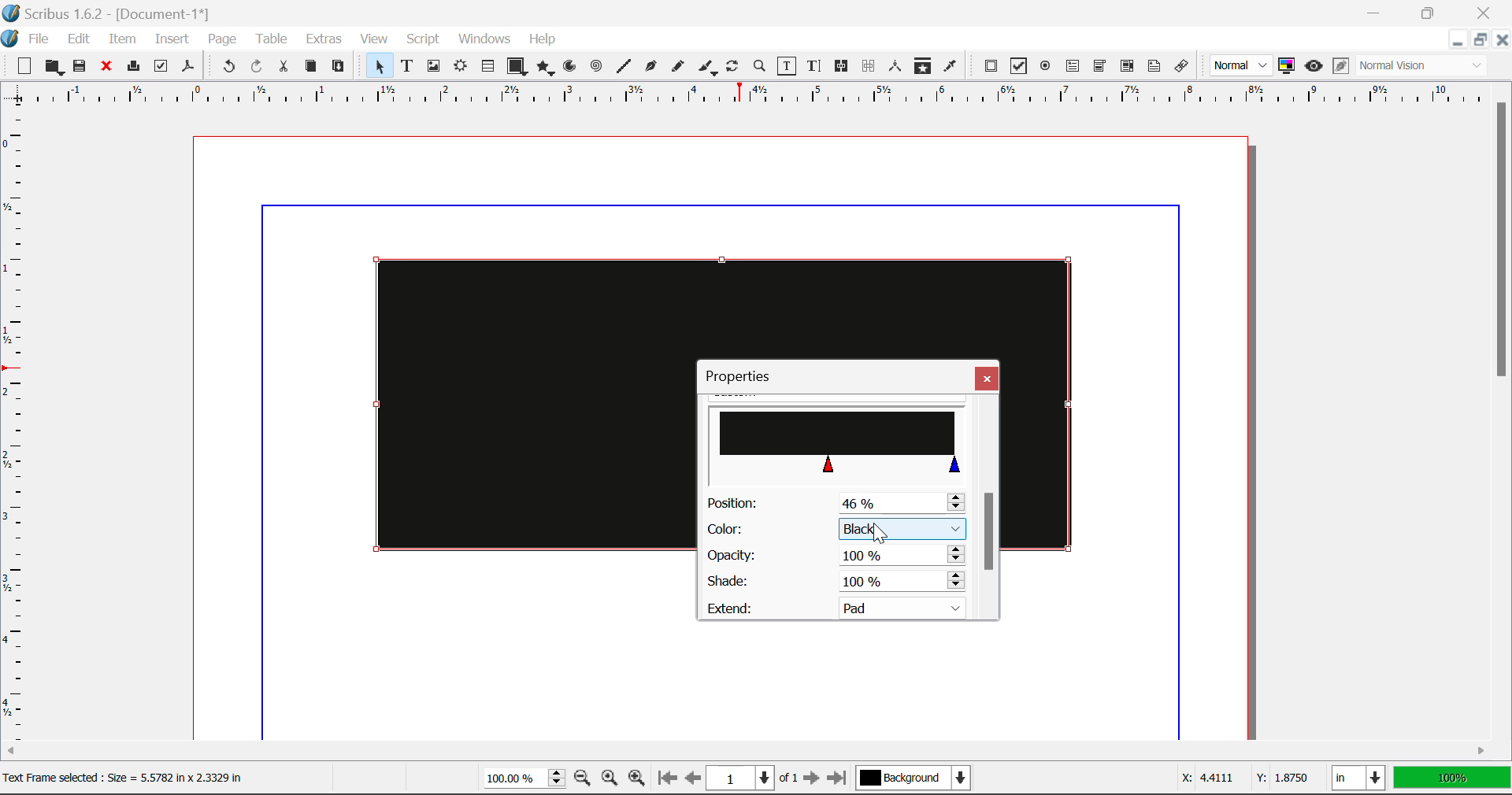 The height and width of the screenshot is (795, 1512). What do you see at coordinates (257, 68) in the screenshot?
I see `Redo` at bounding box center [257, 68].